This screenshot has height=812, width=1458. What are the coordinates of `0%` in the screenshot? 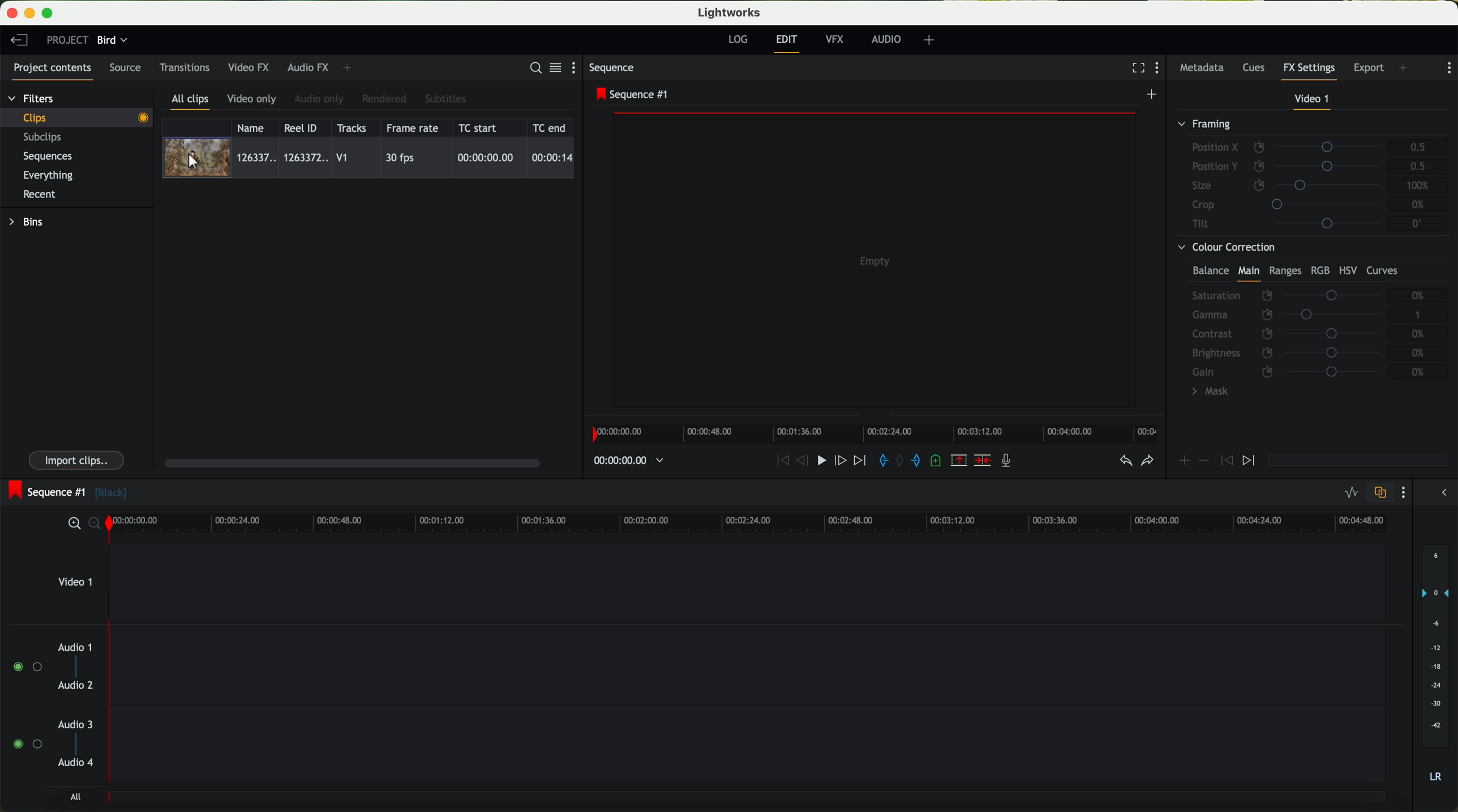 It's located at (1418, 351).